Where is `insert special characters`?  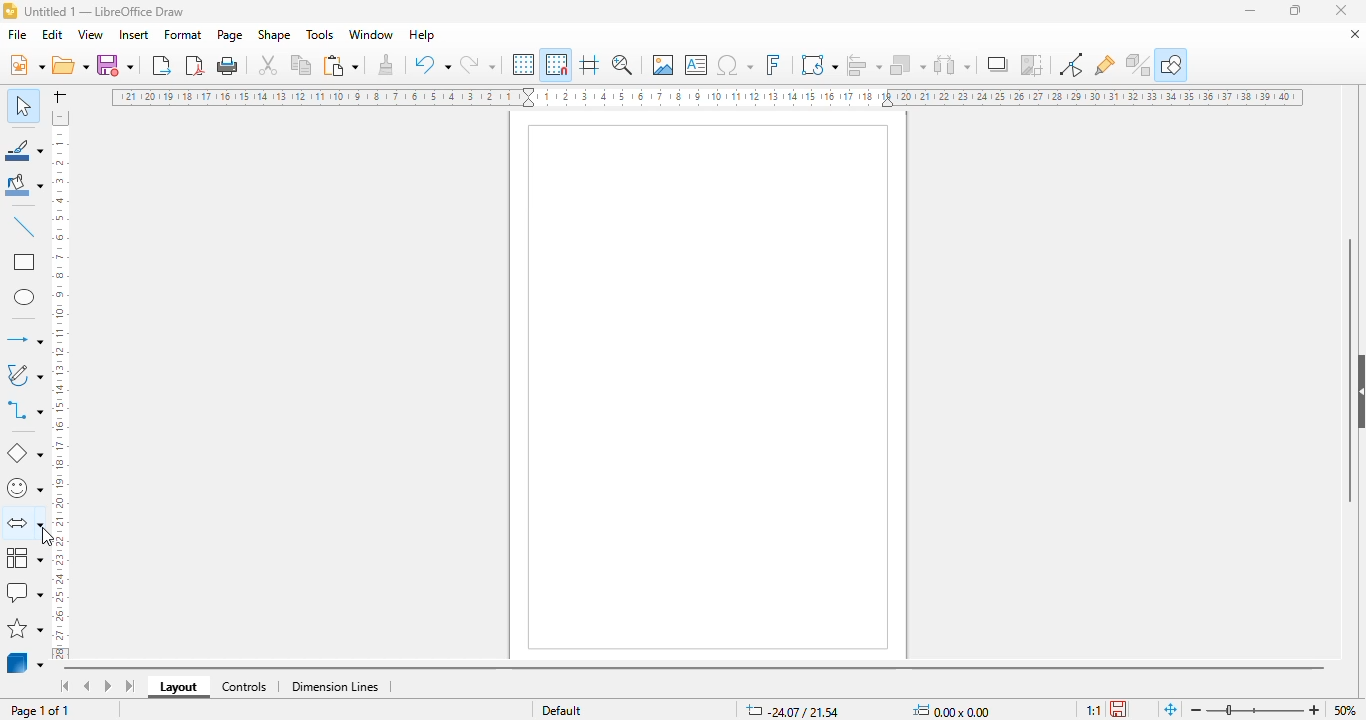 insert special characters is located at coordinates (735, 65).